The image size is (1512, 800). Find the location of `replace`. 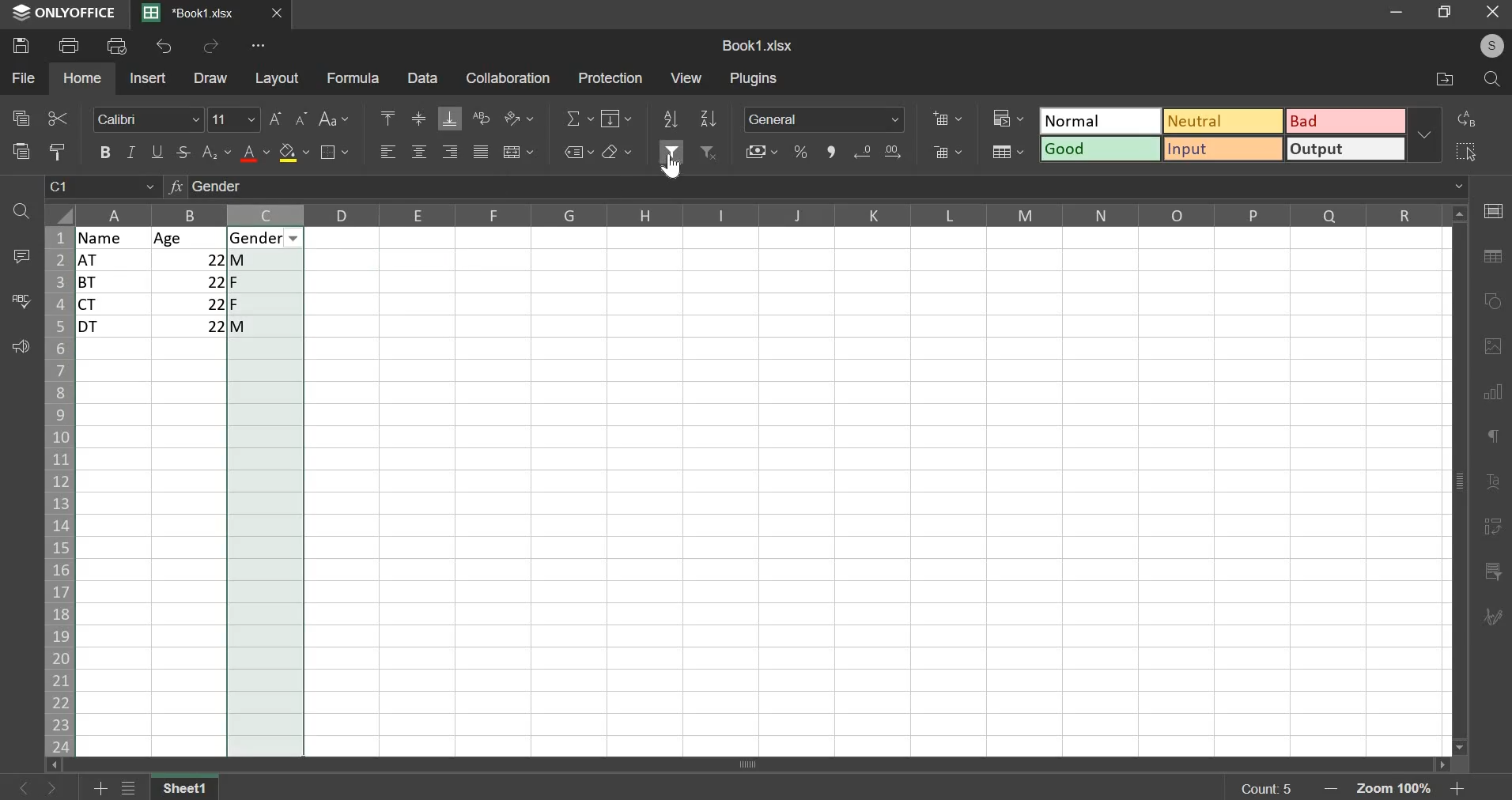

replace is located at coordinates (1468, 119).